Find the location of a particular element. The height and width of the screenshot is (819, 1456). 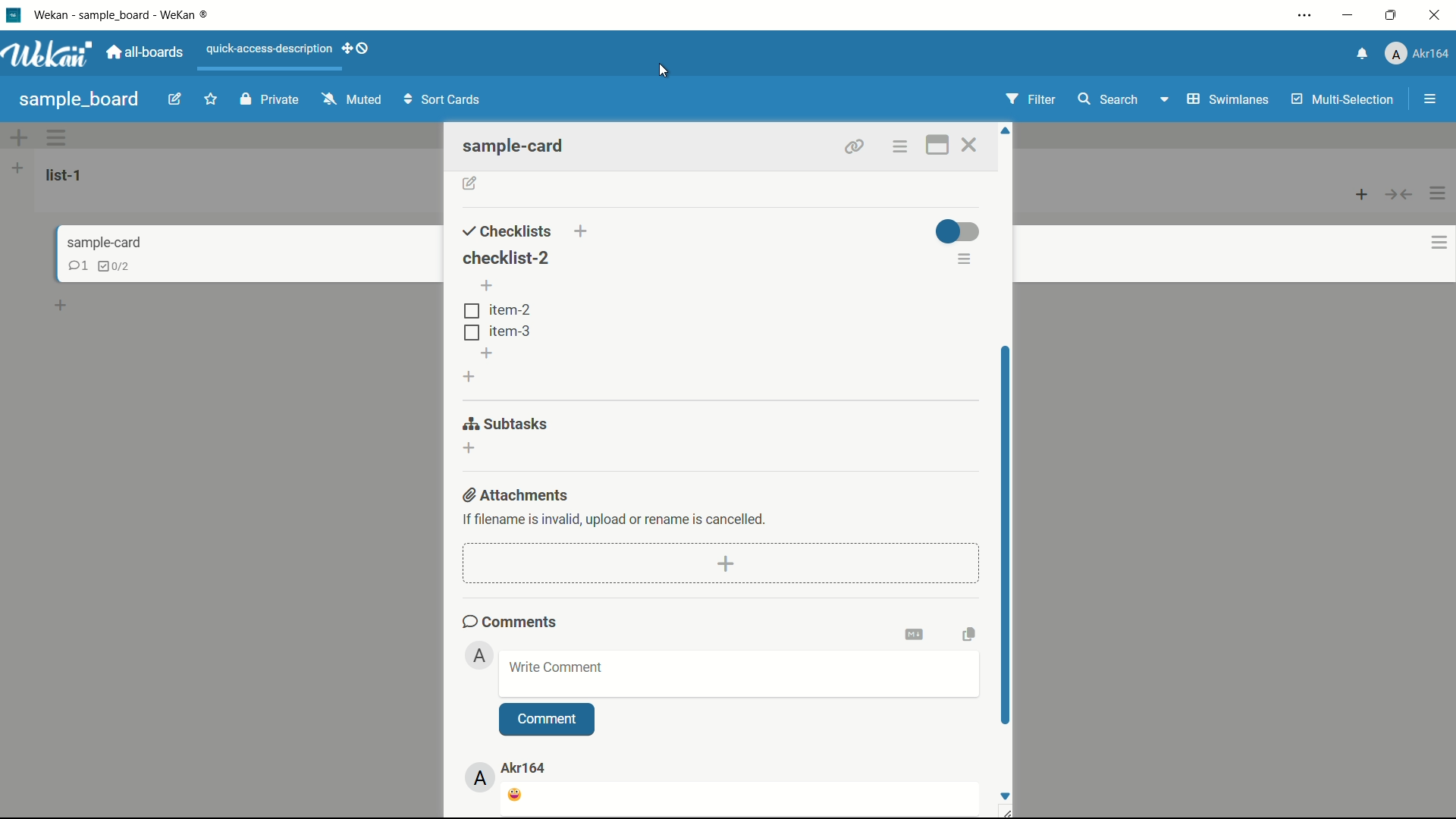

maximize is located at coordinates (1392, 14).